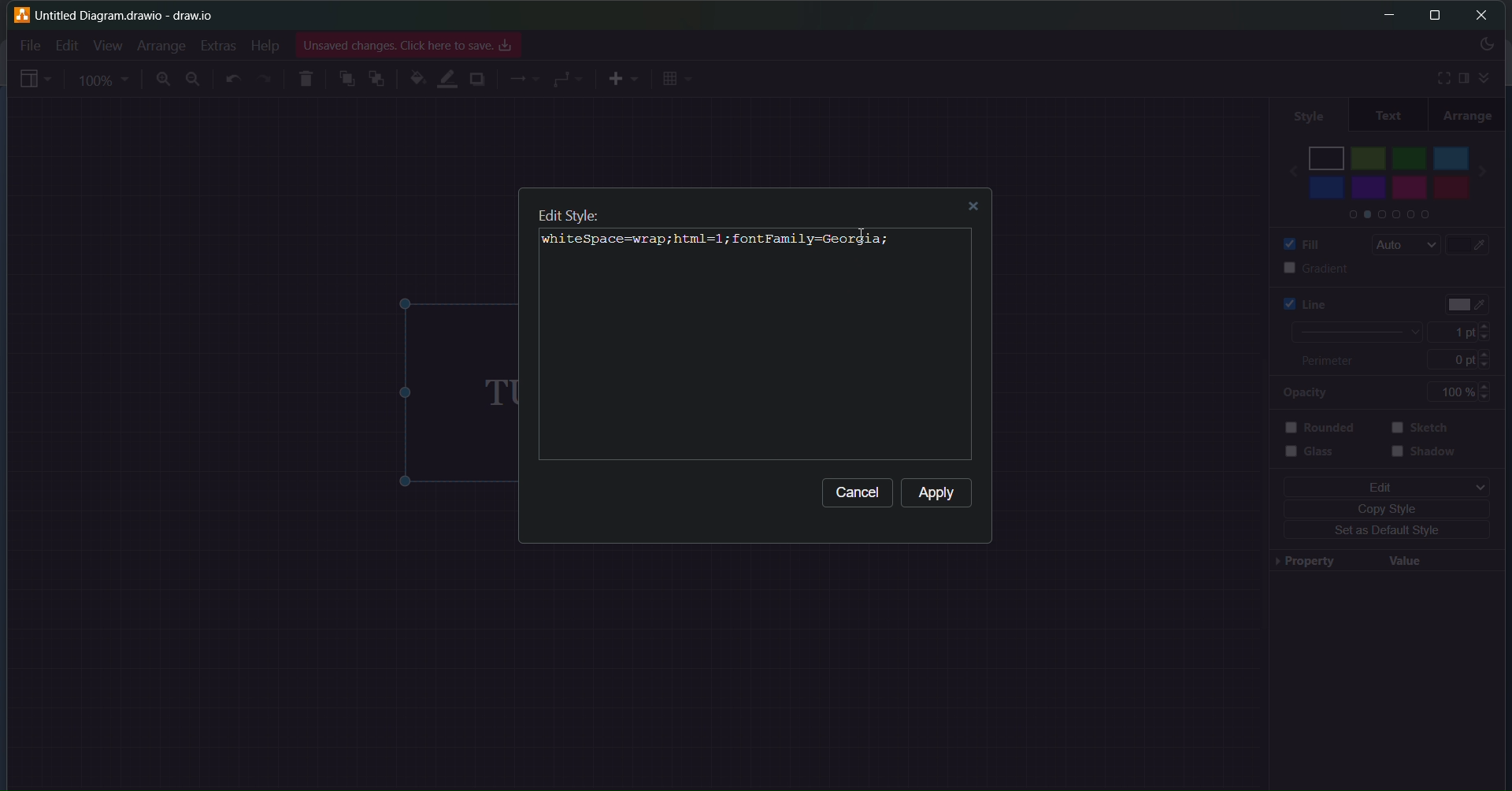 This screenshot has height=791, width=1512. I want to click on light blue, so click(1452, 155).